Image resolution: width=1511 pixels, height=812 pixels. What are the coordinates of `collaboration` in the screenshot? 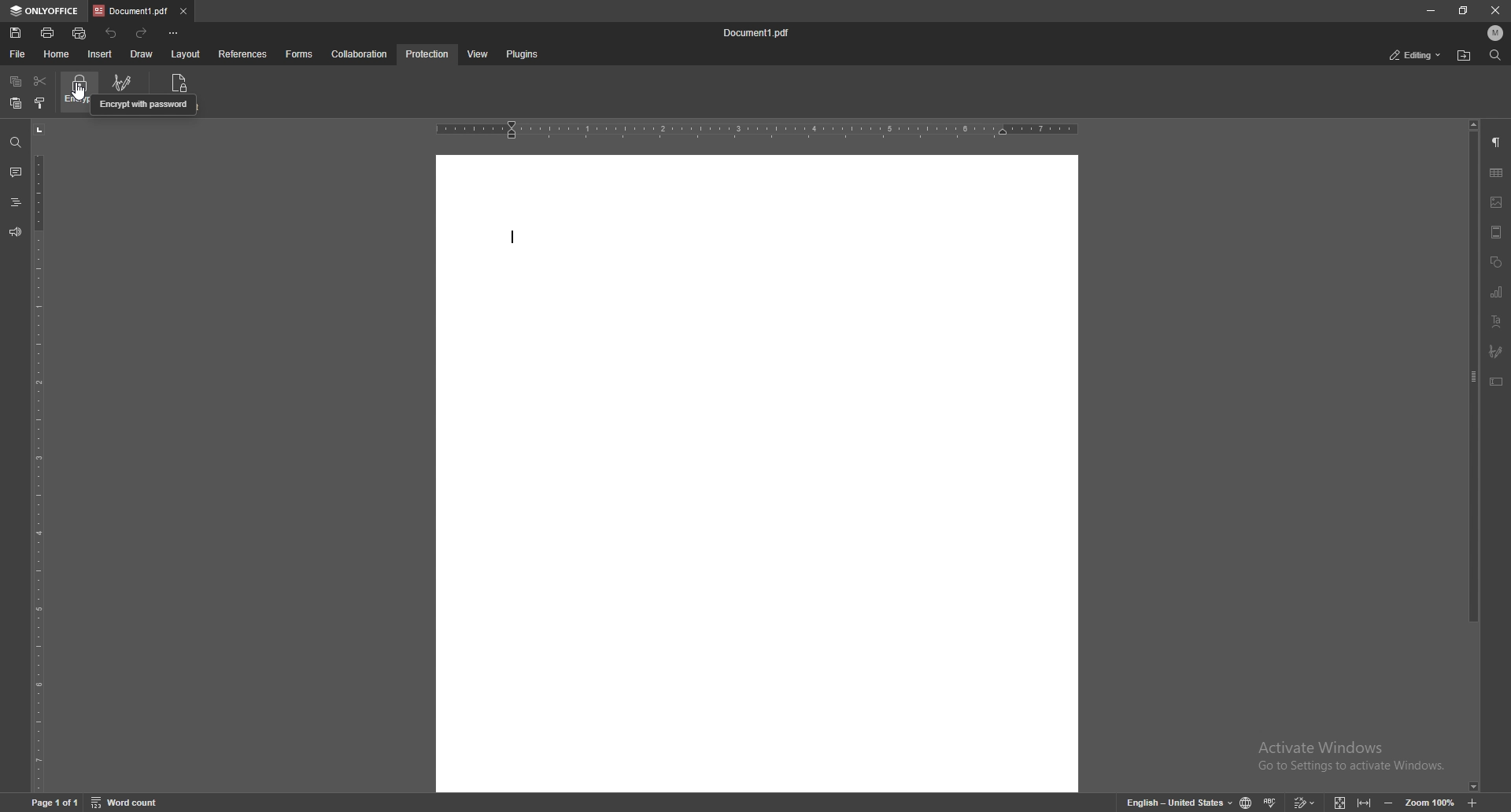 It's located at (360, 54).